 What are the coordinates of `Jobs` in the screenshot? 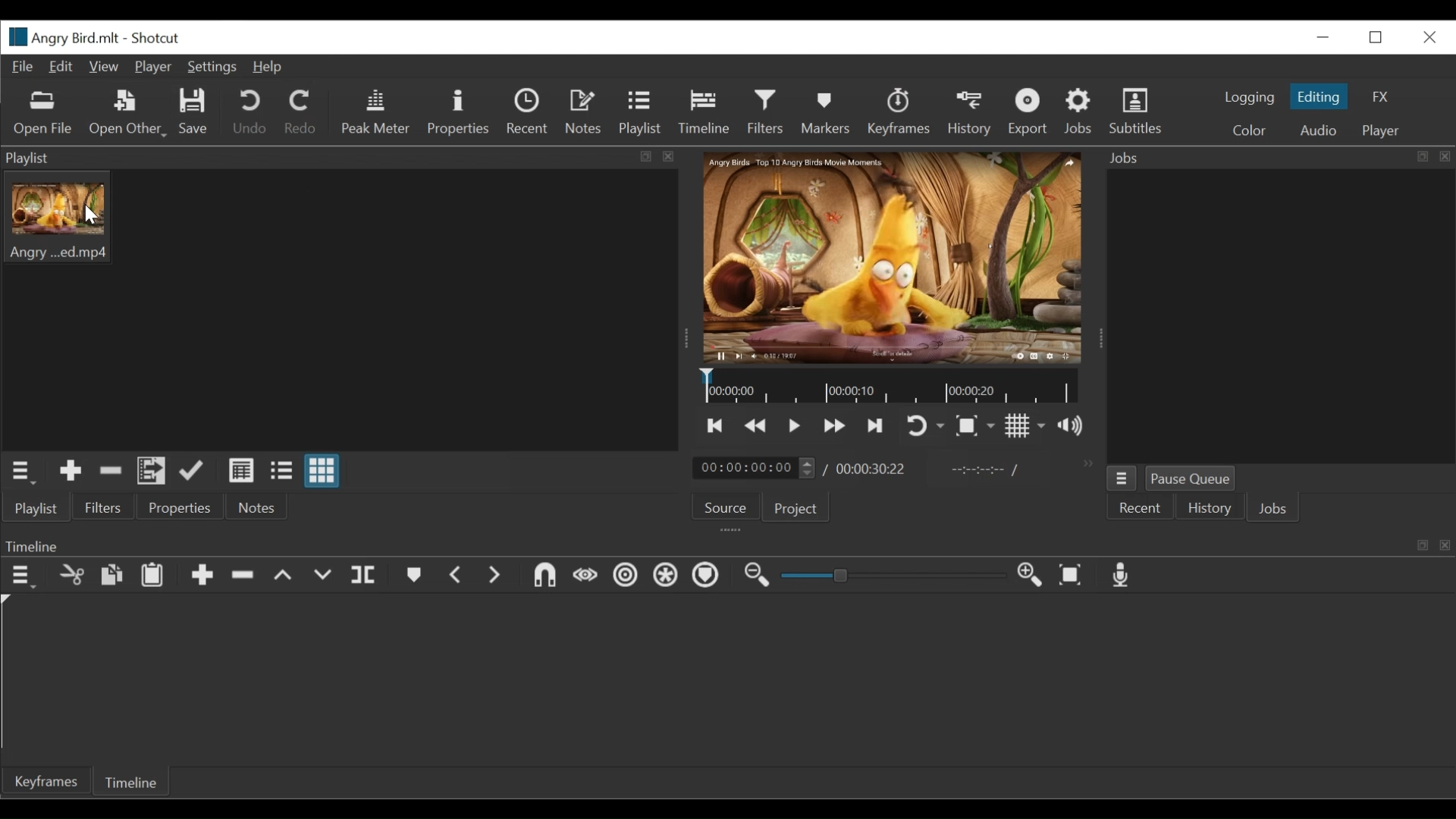 It's located at (1273, 509).